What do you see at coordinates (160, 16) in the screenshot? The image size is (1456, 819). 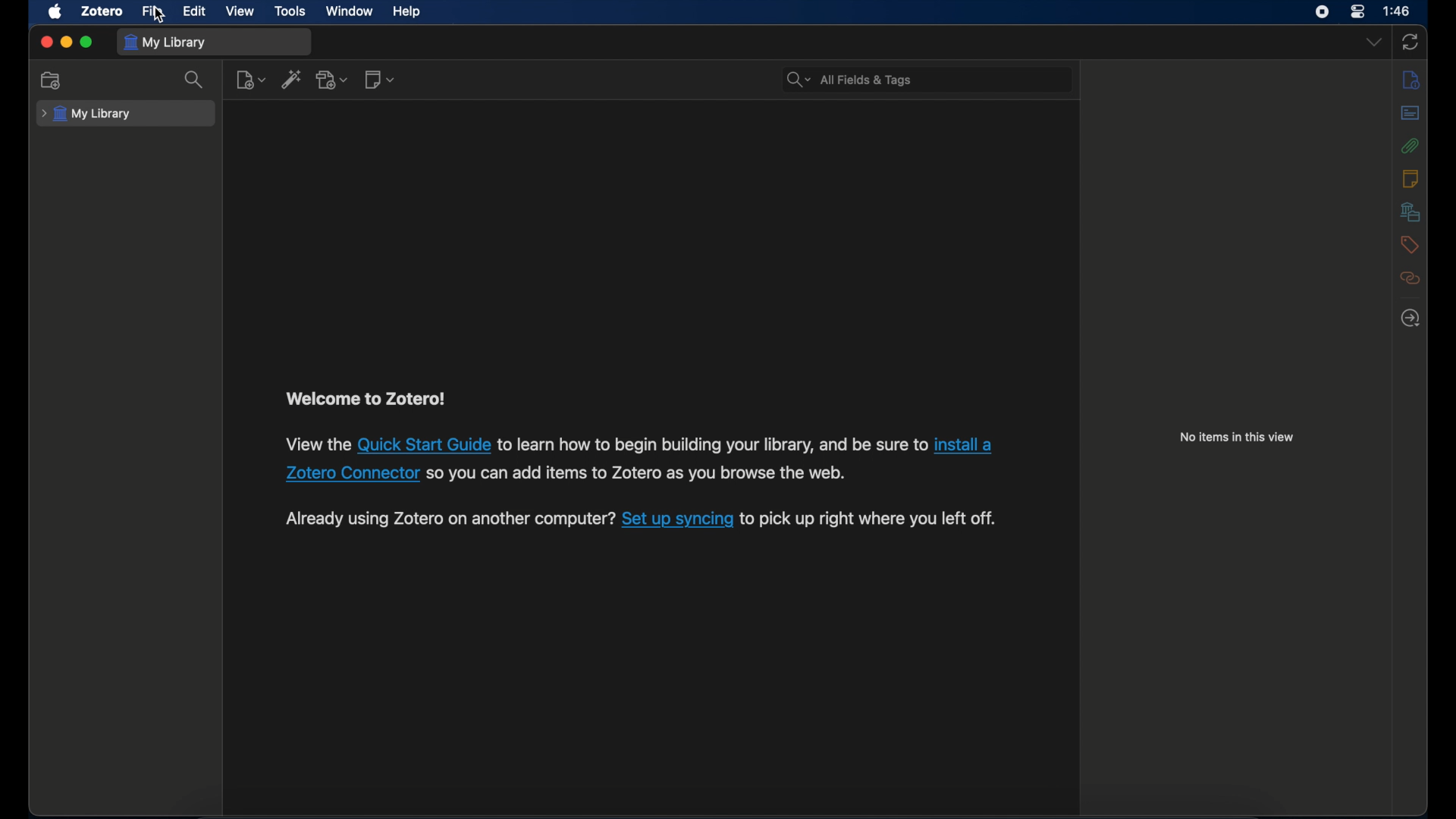 I see `cursor` at bounding box center [160, 16].